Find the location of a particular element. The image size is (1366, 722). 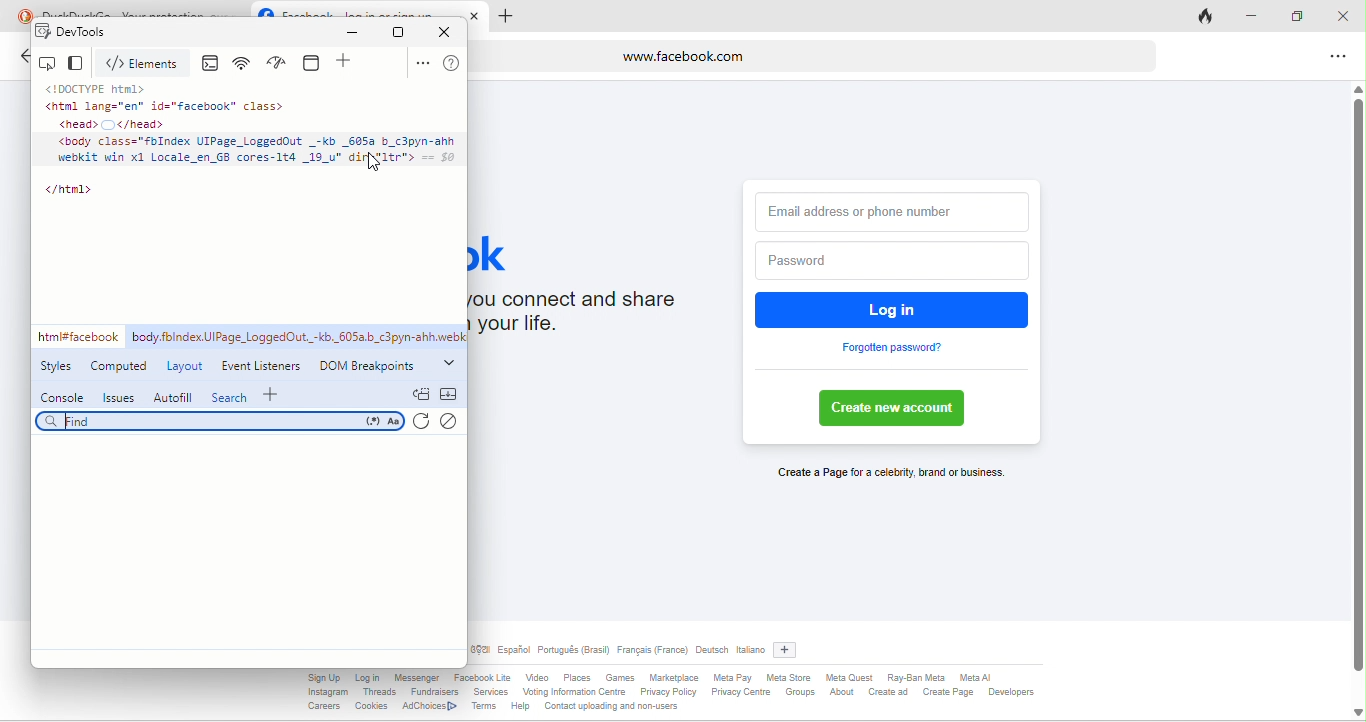

console is located at coordinates (63, 397).